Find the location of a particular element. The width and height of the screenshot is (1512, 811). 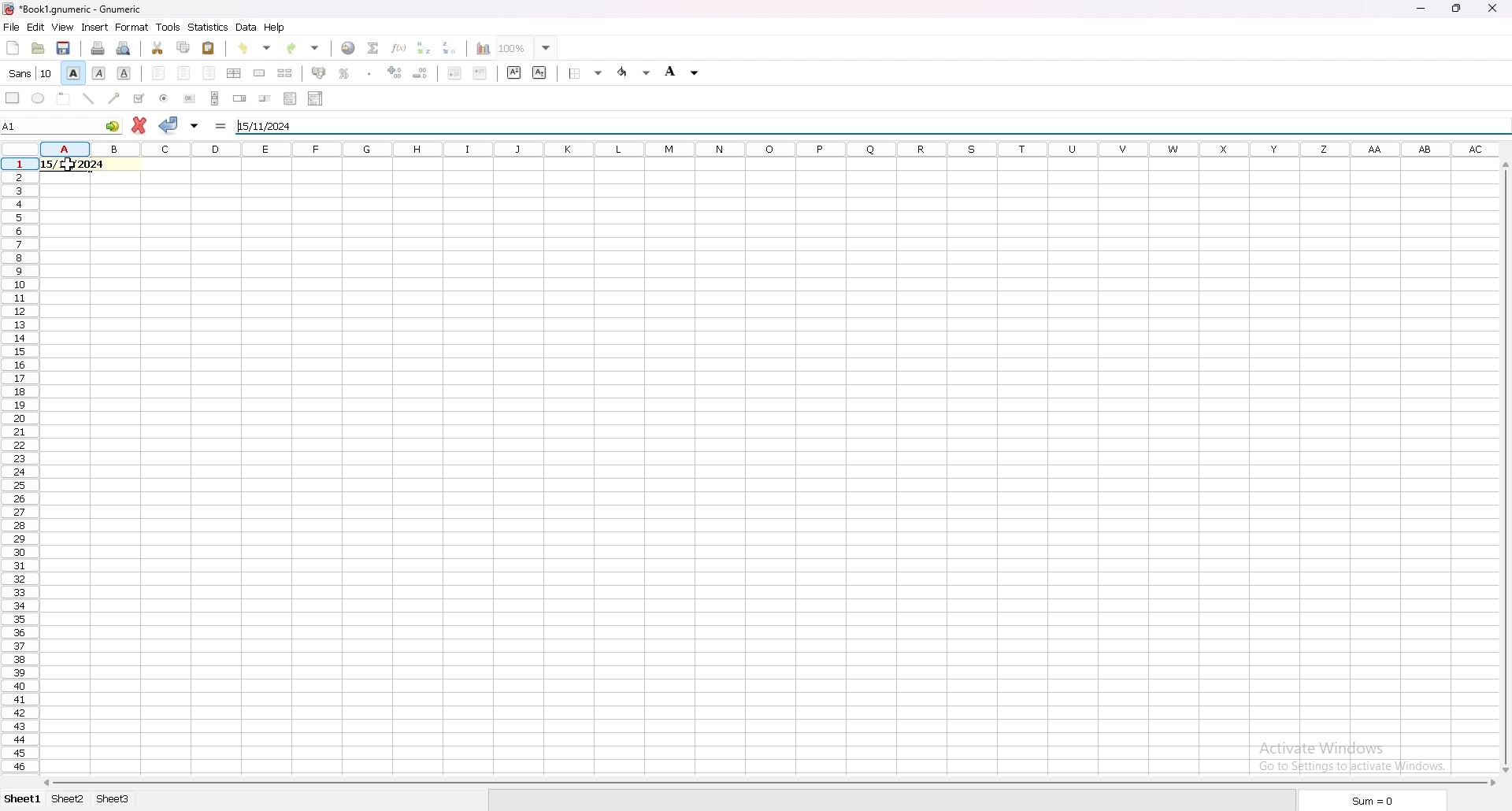

arrowed line is located at coordinates (115, 99).